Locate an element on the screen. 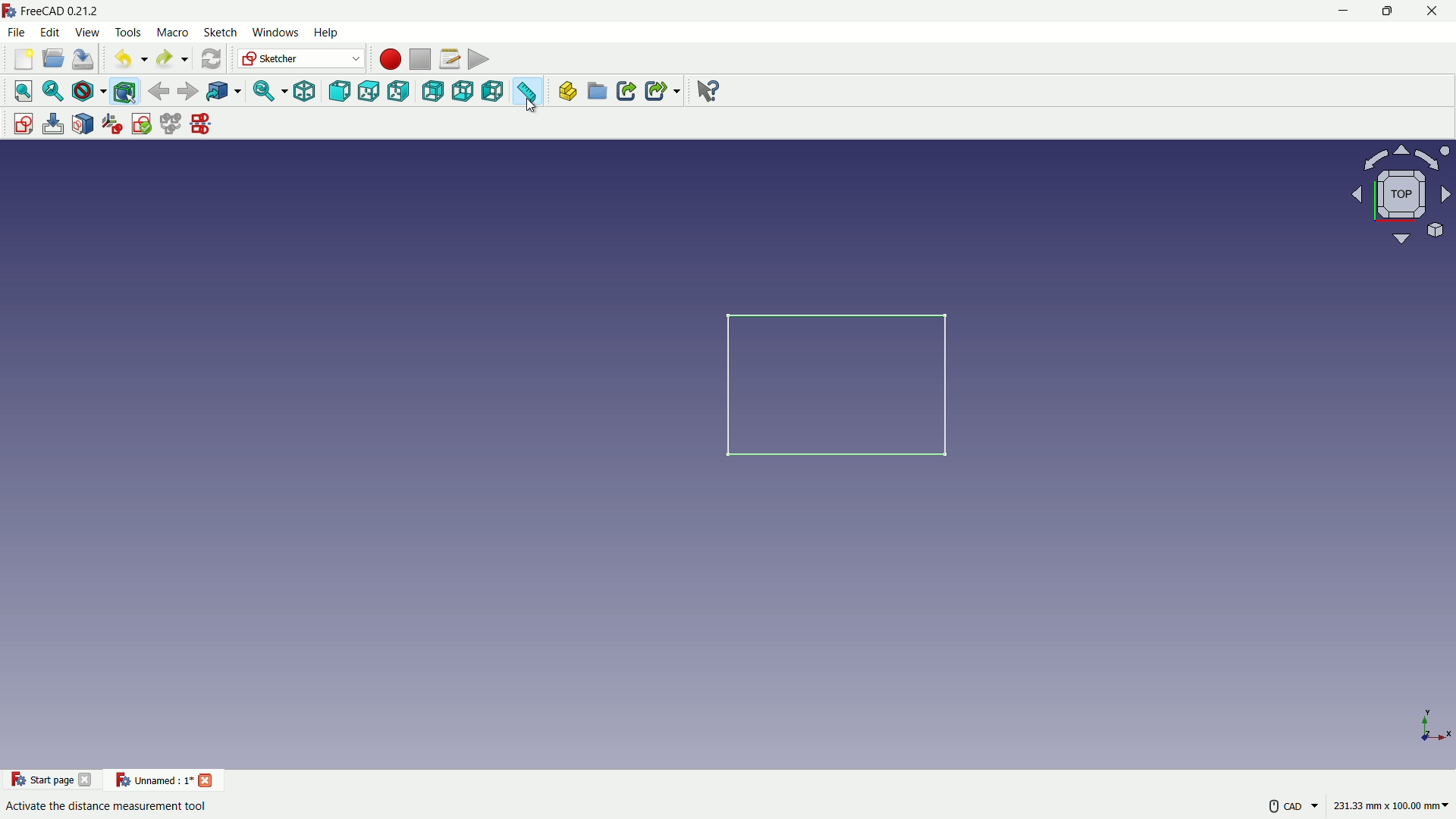 Image resolution: width=1456 pixels, height=819 pixels. close project is located at coordinates (208, 779).